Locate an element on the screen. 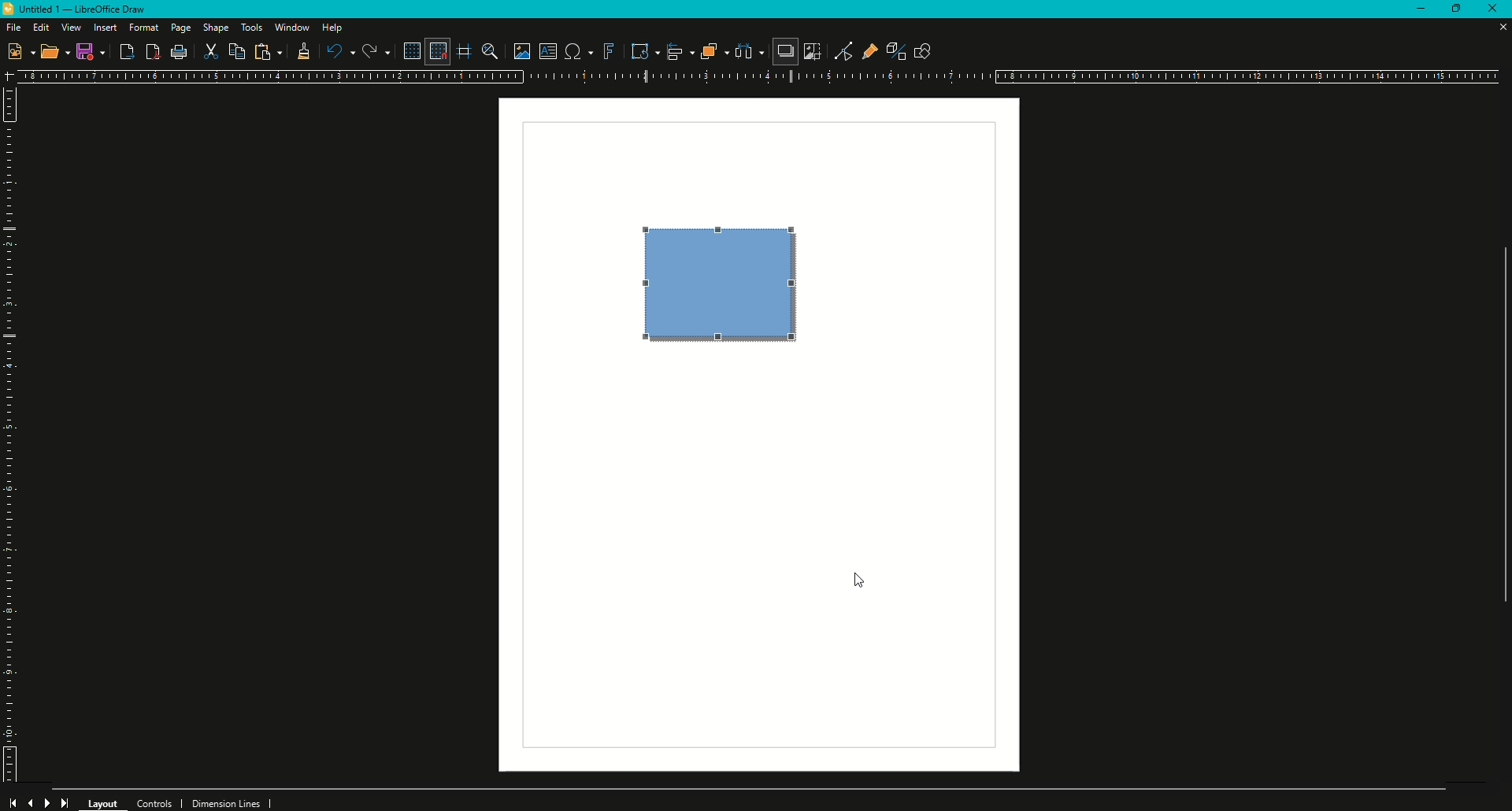  Cut is located at coordinates (212, 53).